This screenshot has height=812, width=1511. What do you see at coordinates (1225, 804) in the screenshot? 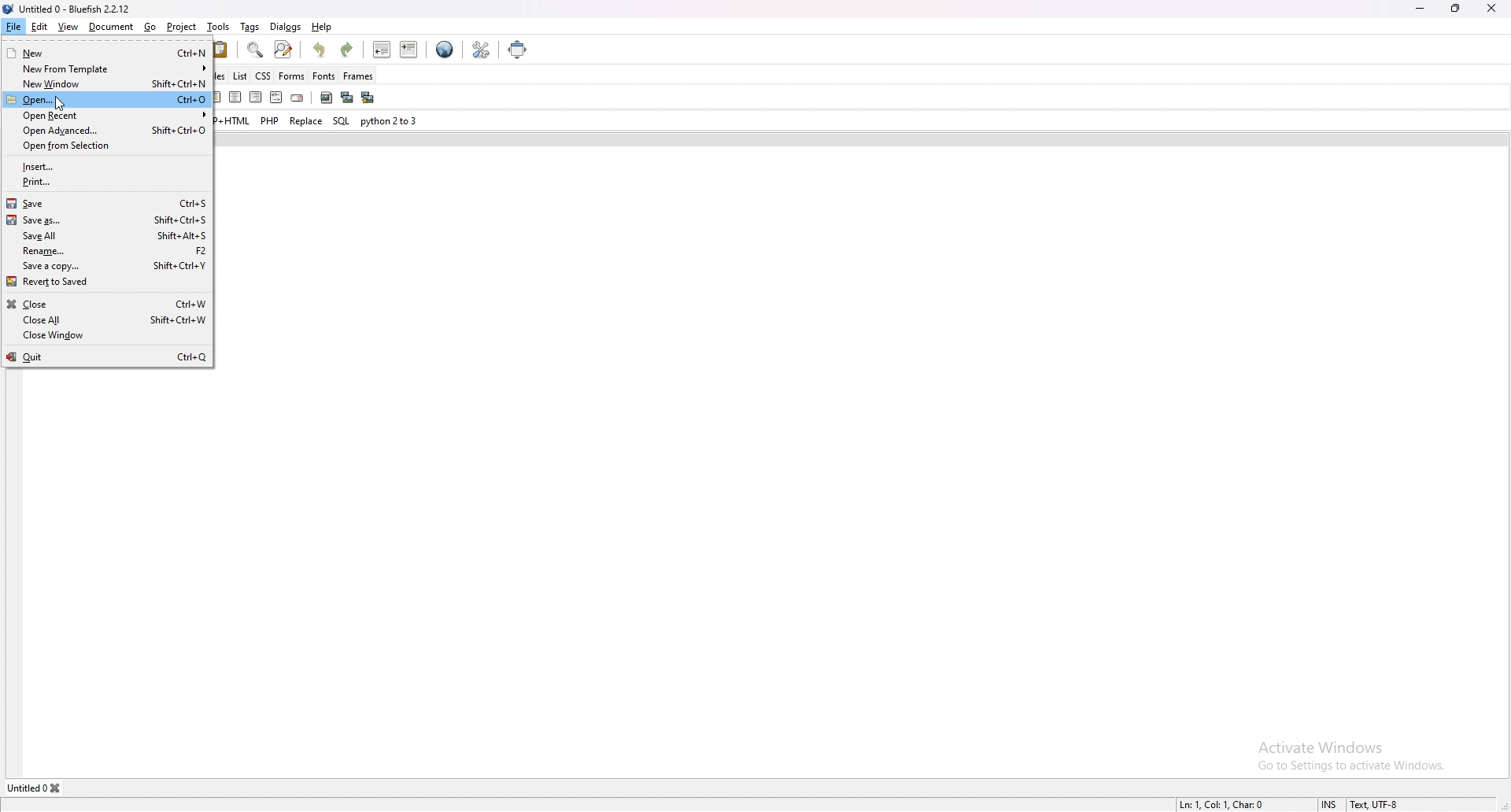
I see `Ln: 1, Col: 1, Char: 0` at bounding box center [1225, 804].